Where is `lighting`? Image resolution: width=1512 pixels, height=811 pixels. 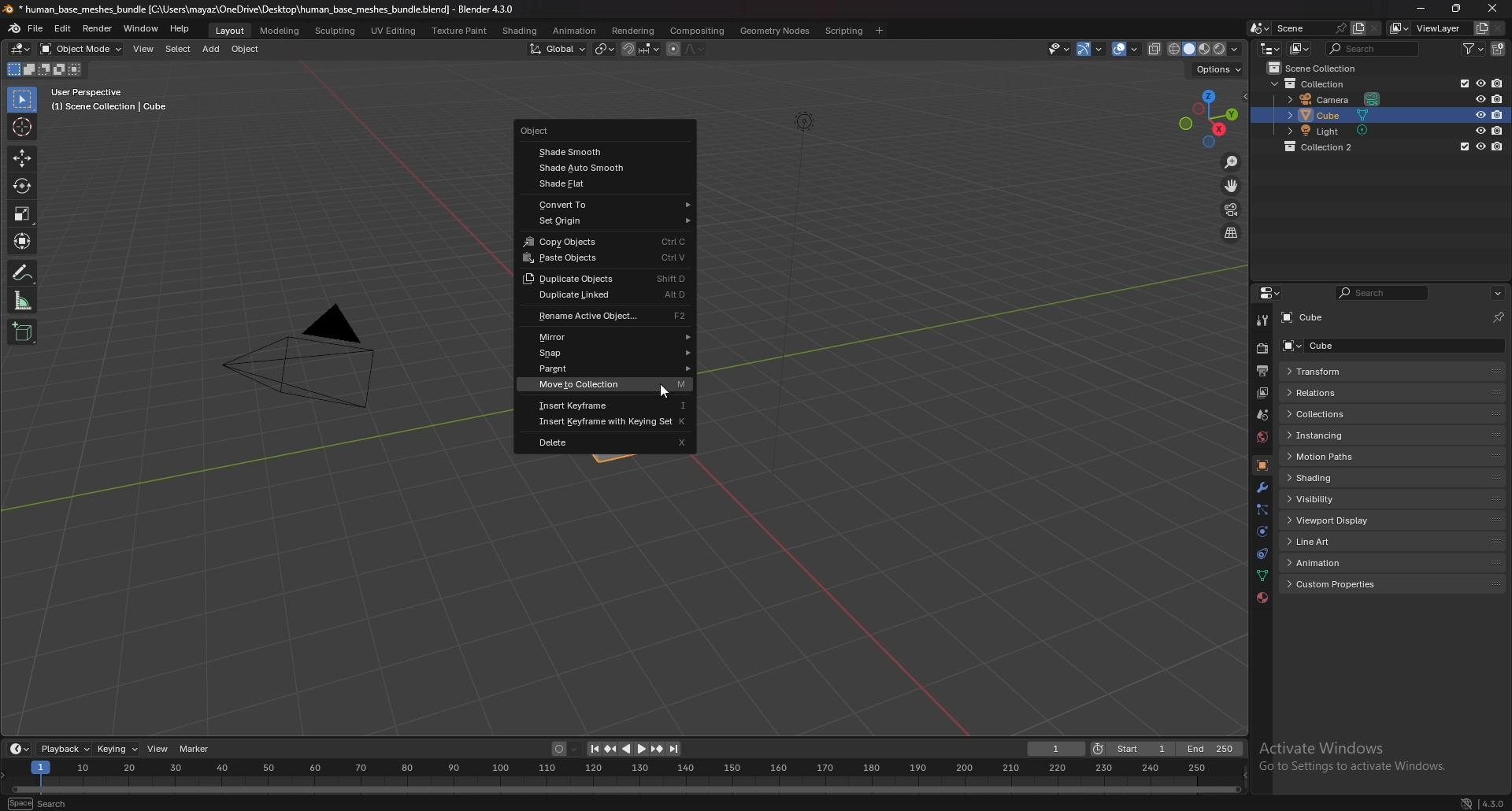
lighting is located at coordinates (804, 121).